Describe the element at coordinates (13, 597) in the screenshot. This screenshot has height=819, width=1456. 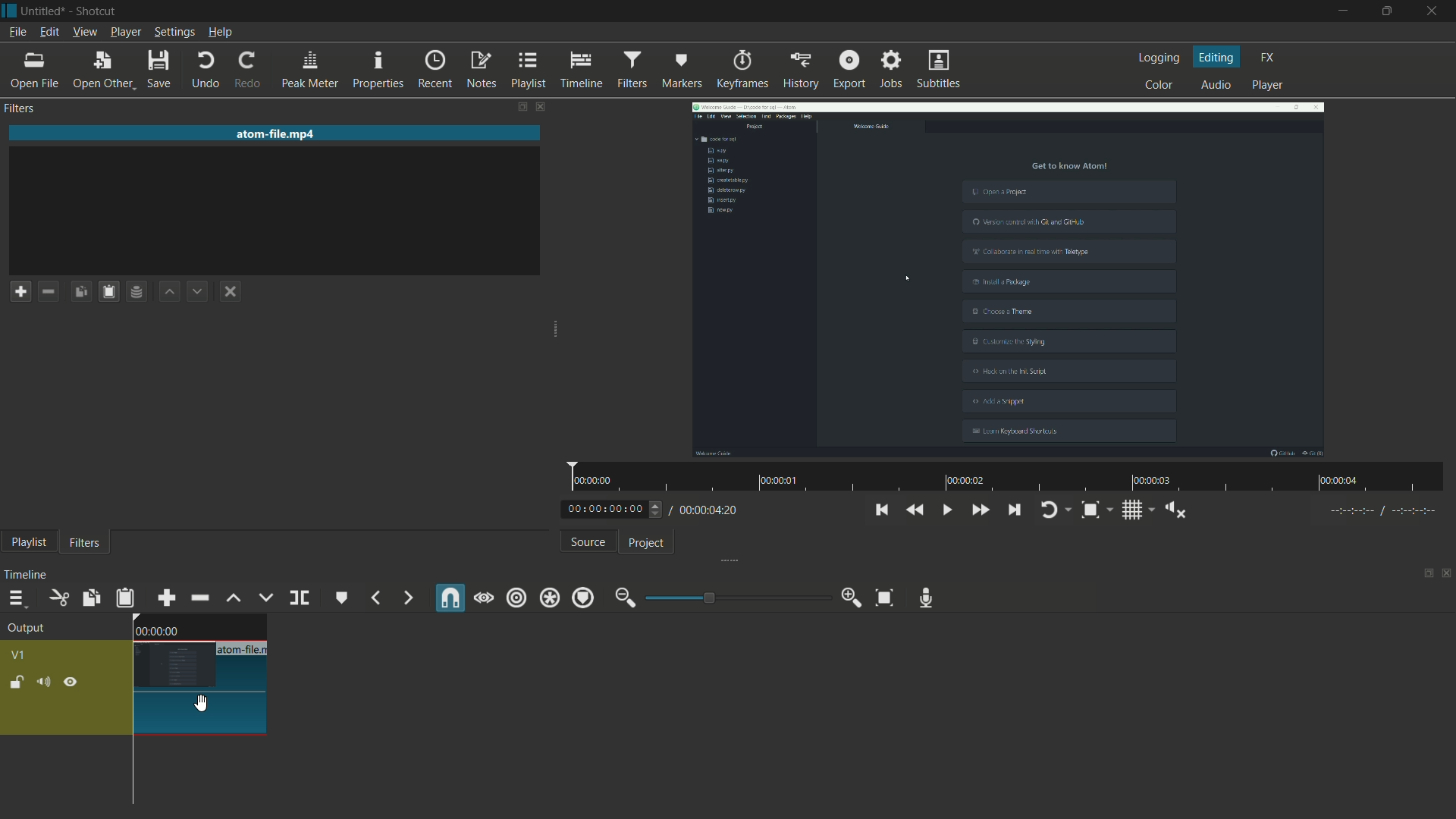
I see `timeline menu` at that location.